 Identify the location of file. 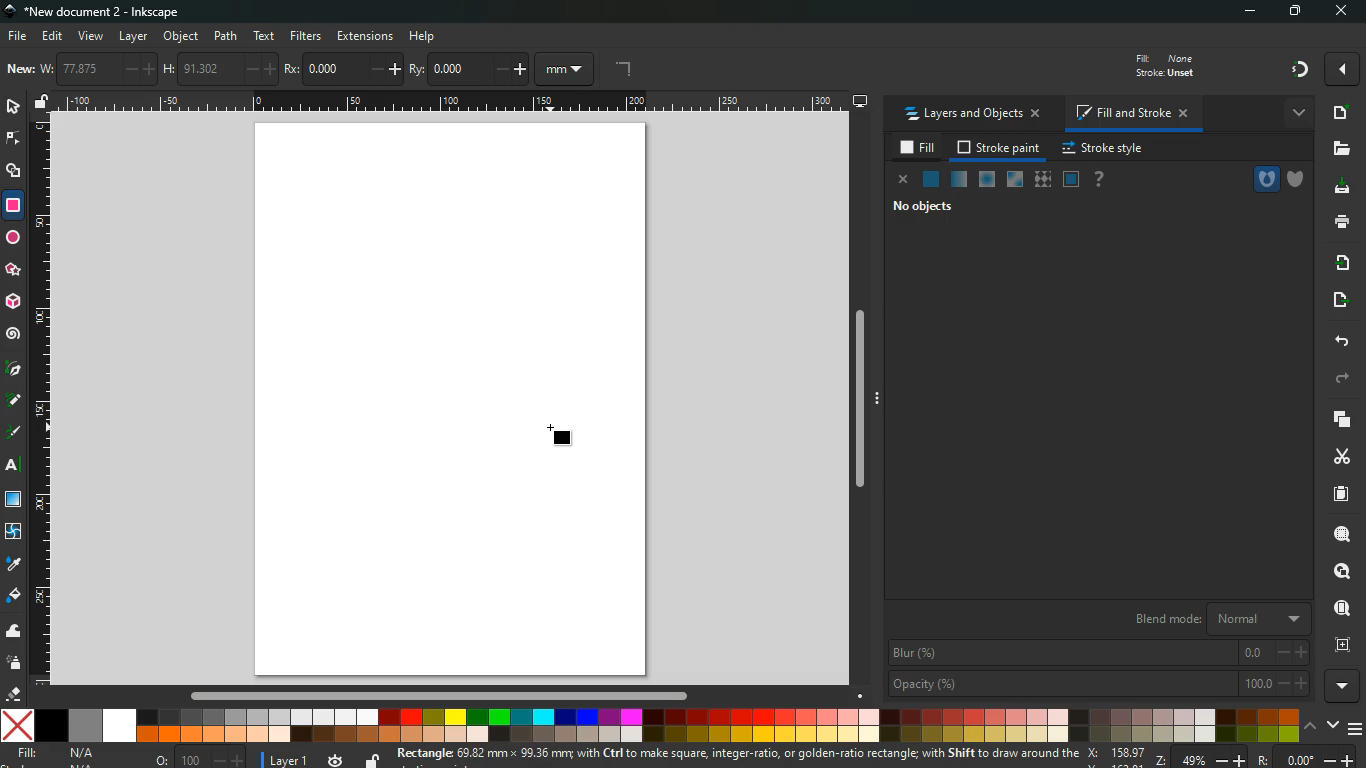
(18, 35).